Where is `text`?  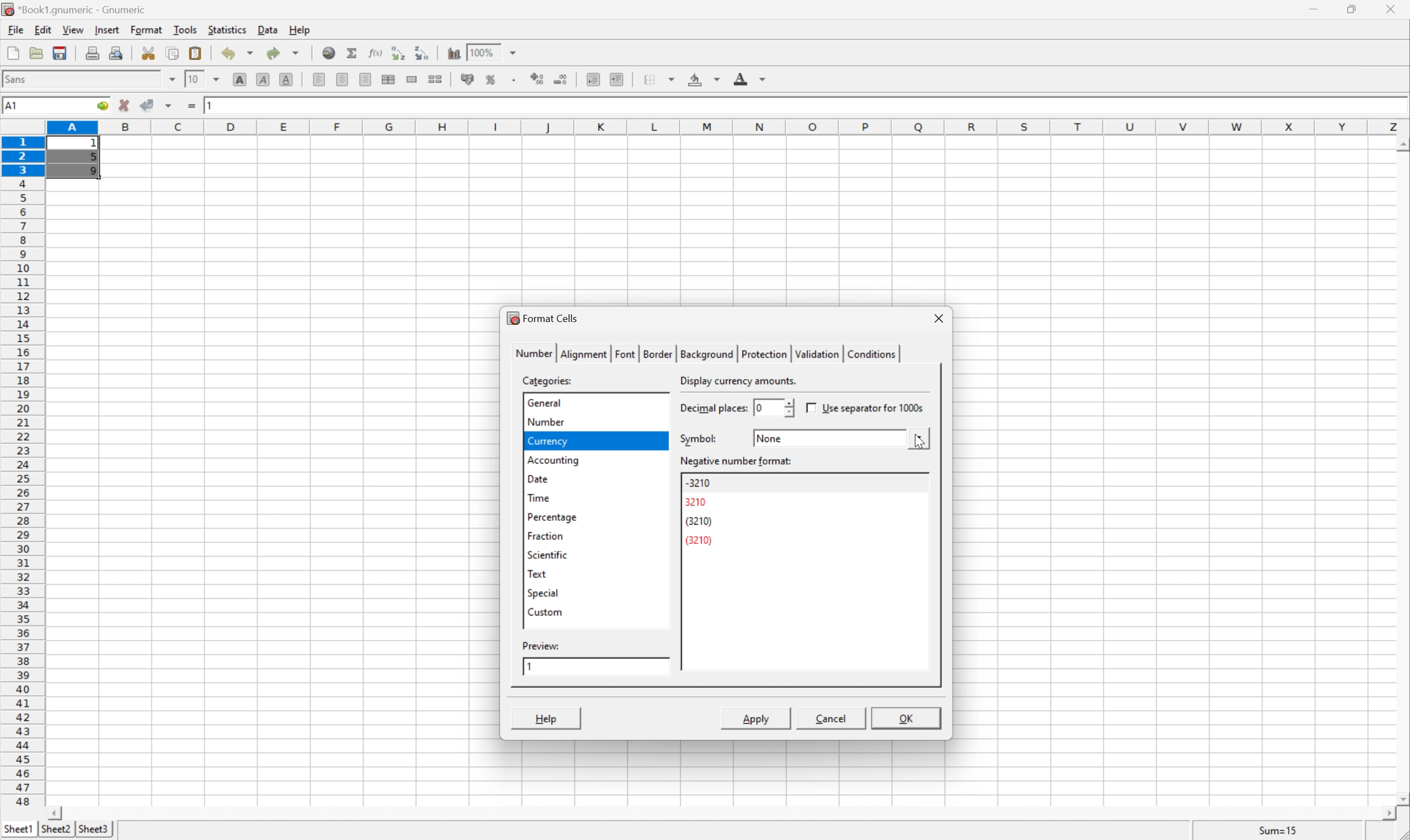
text is located at coordinates (537, 573).